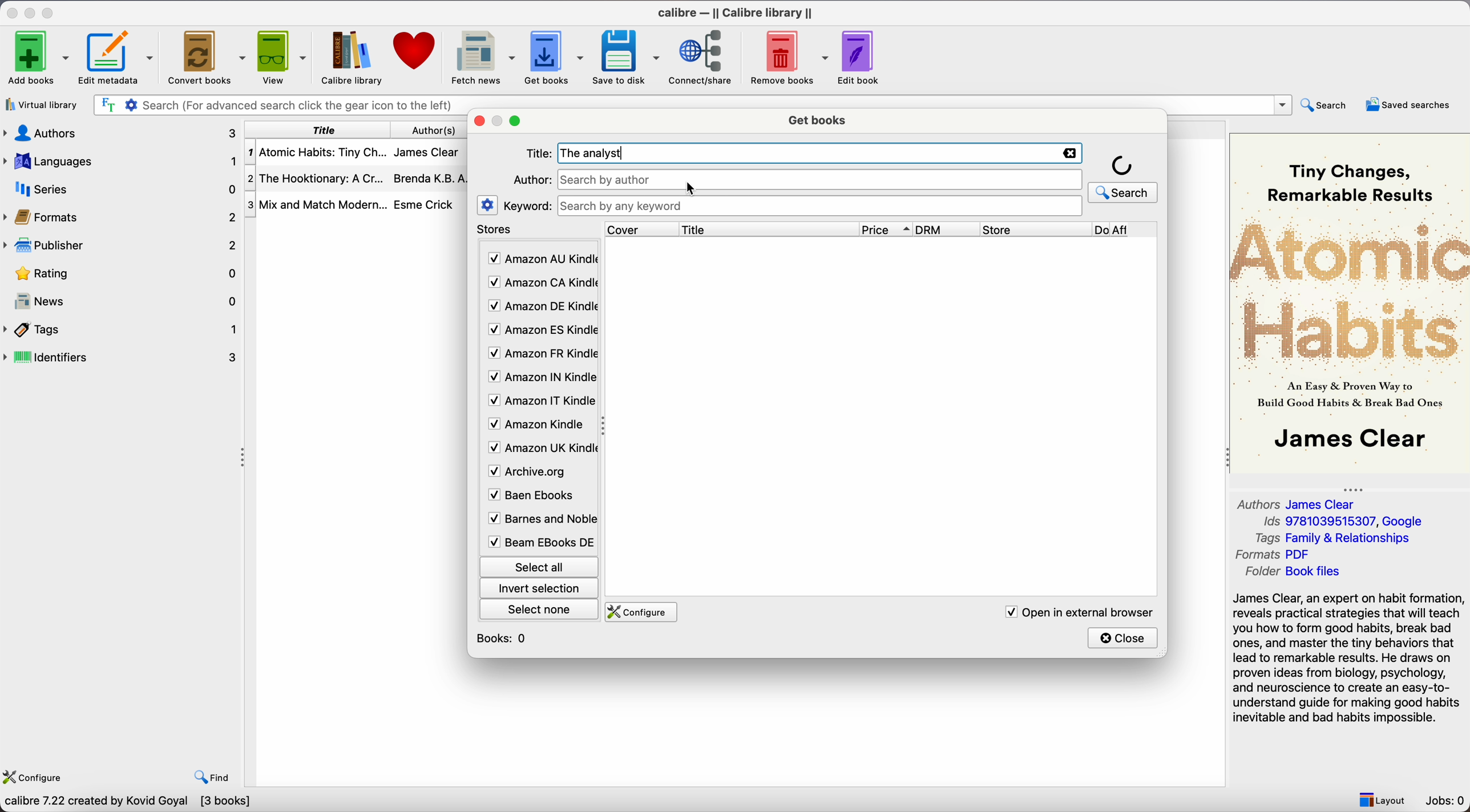 This screenshot has width=1470, height=812. What do you see at coordinates (11, 12) in the screenshot?
I see `close app` at bounding box center [11, 12].